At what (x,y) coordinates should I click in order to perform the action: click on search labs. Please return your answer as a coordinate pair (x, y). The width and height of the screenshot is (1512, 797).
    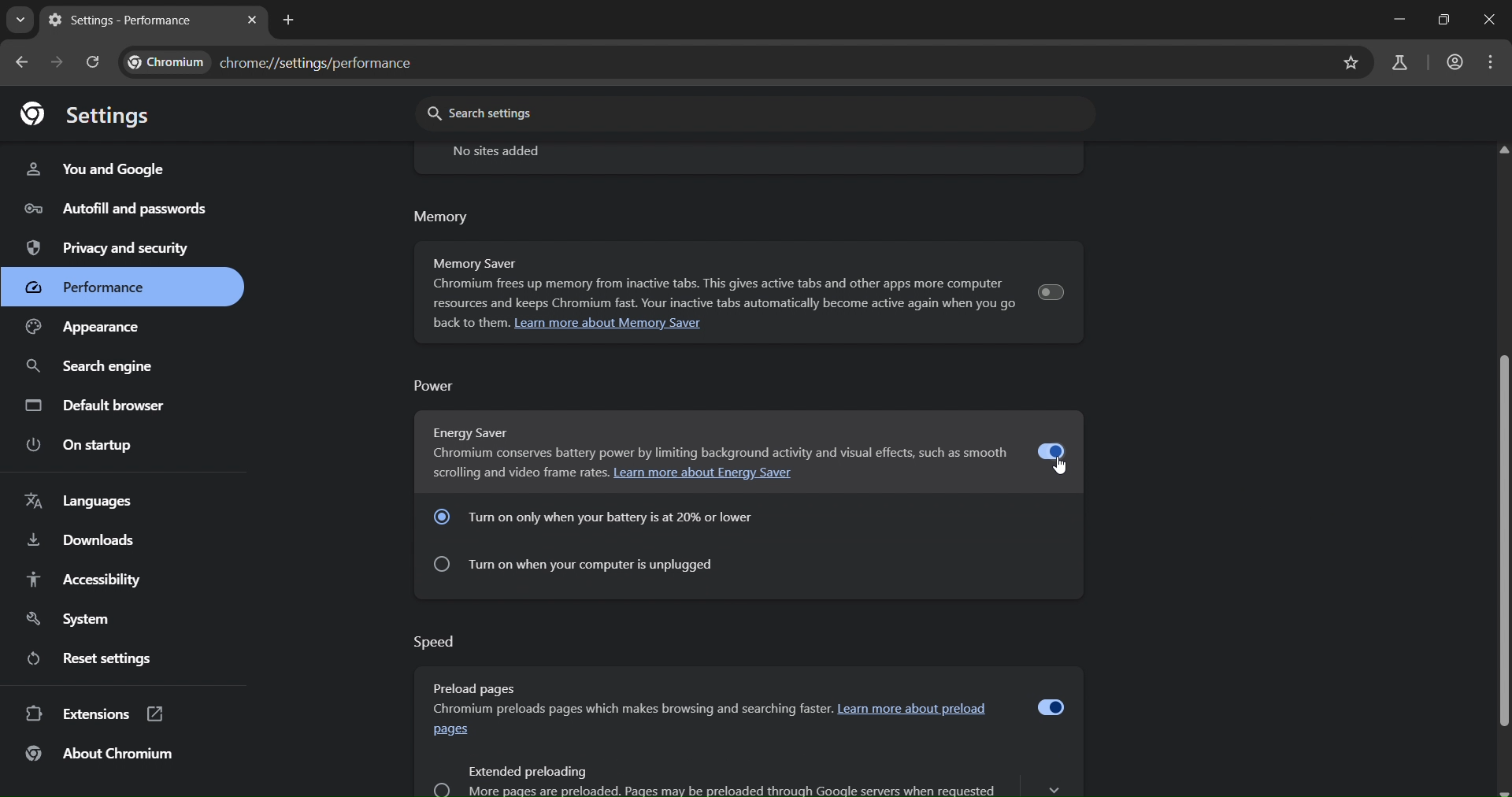
    Looking at the image, I should click on (1402, 64).